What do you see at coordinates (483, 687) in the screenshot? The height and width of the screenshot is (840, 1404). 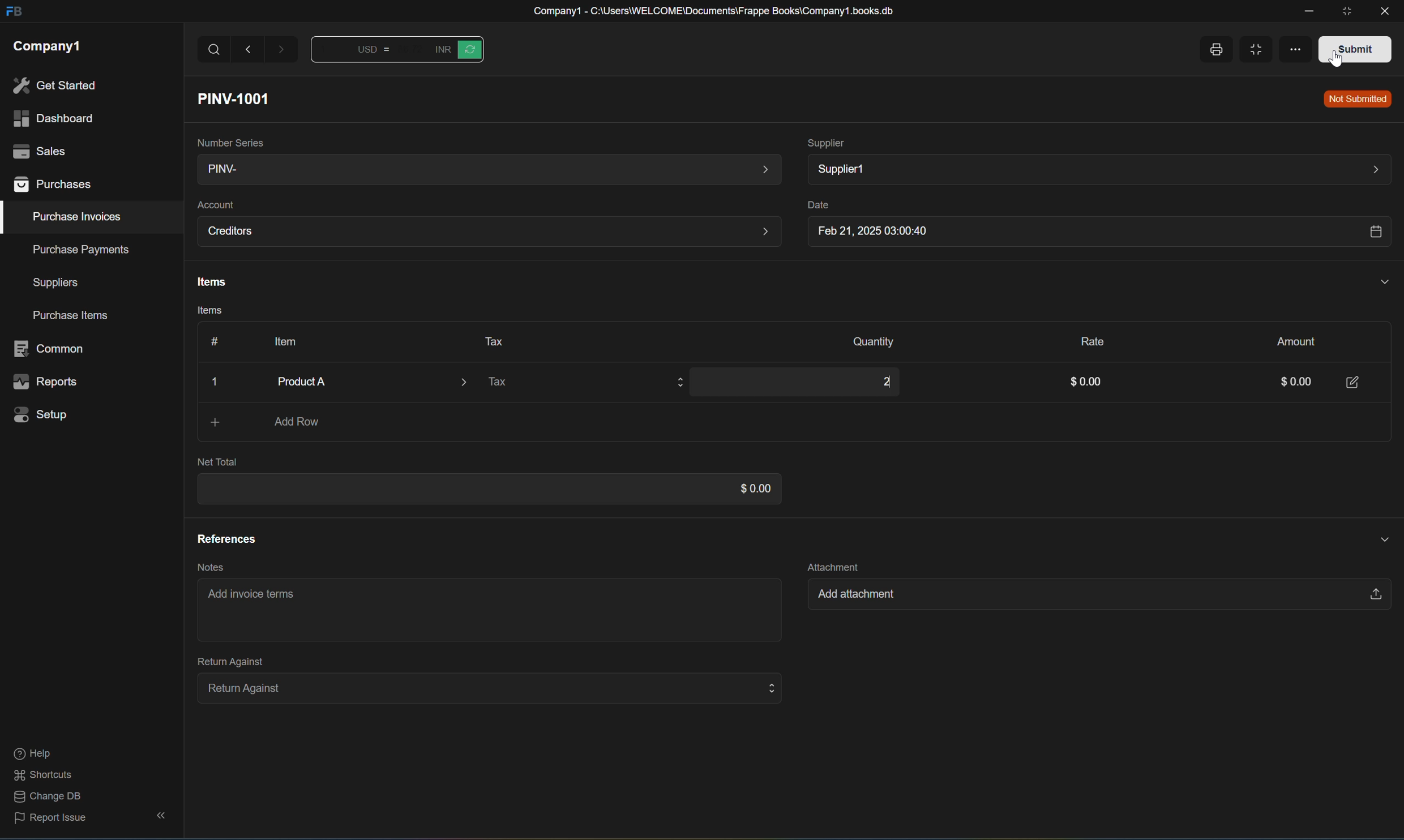 I see `Return Against` at bounding box center [483, 687].